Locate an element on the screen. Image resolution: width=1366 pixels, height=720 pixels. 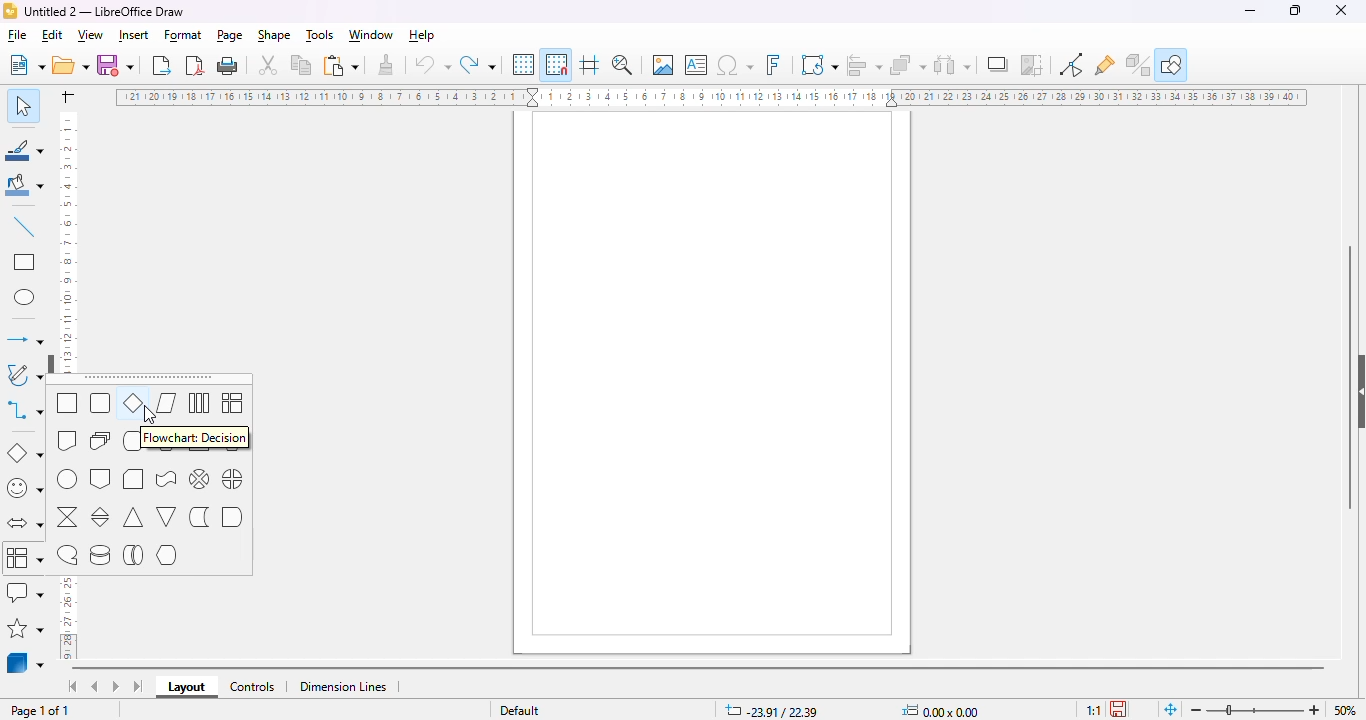
block arrows is located at coordinates (24, 523).